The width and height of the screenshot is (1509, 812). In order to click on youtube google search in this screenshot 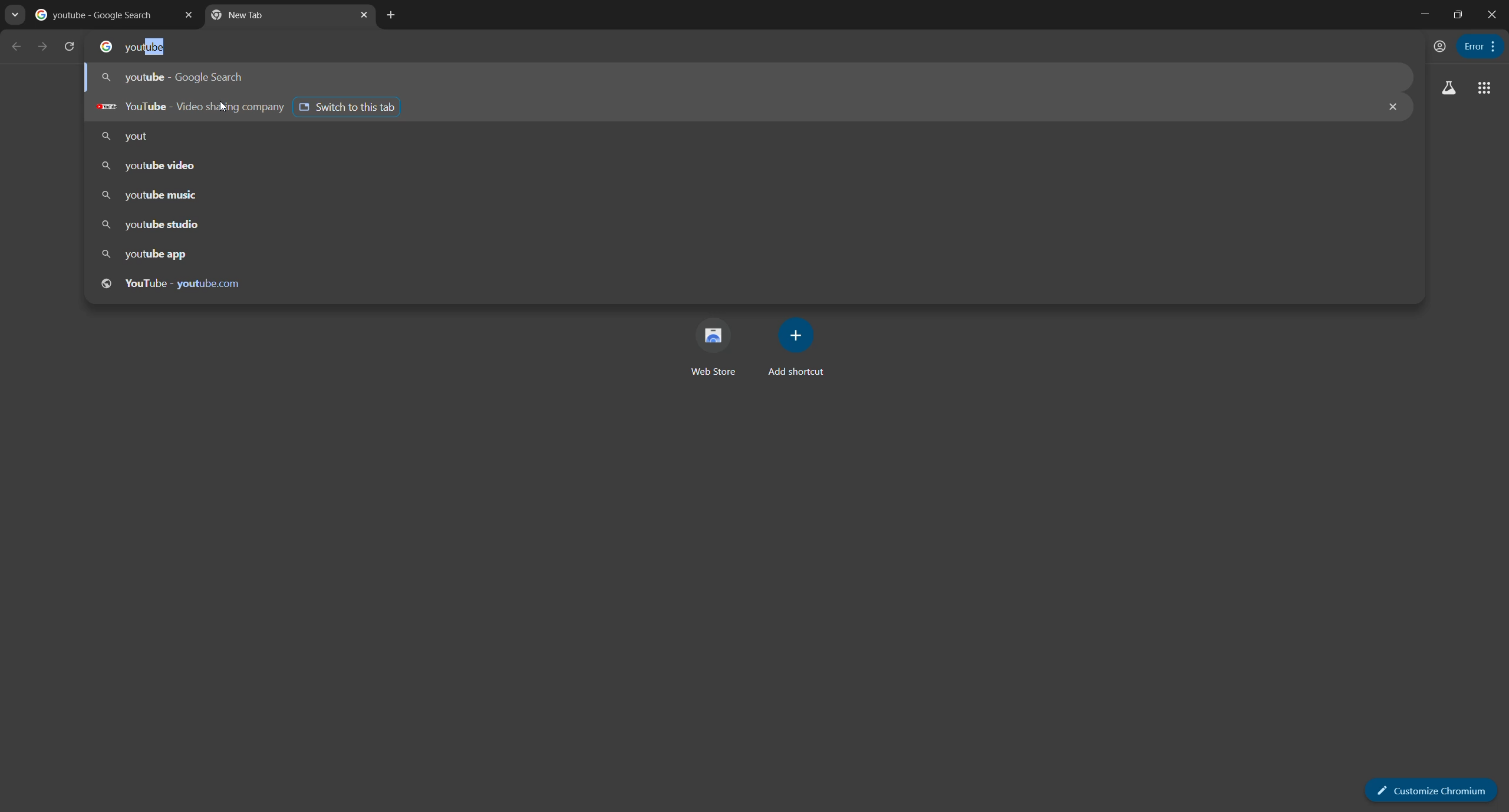, I will do `click(97, 17)`.